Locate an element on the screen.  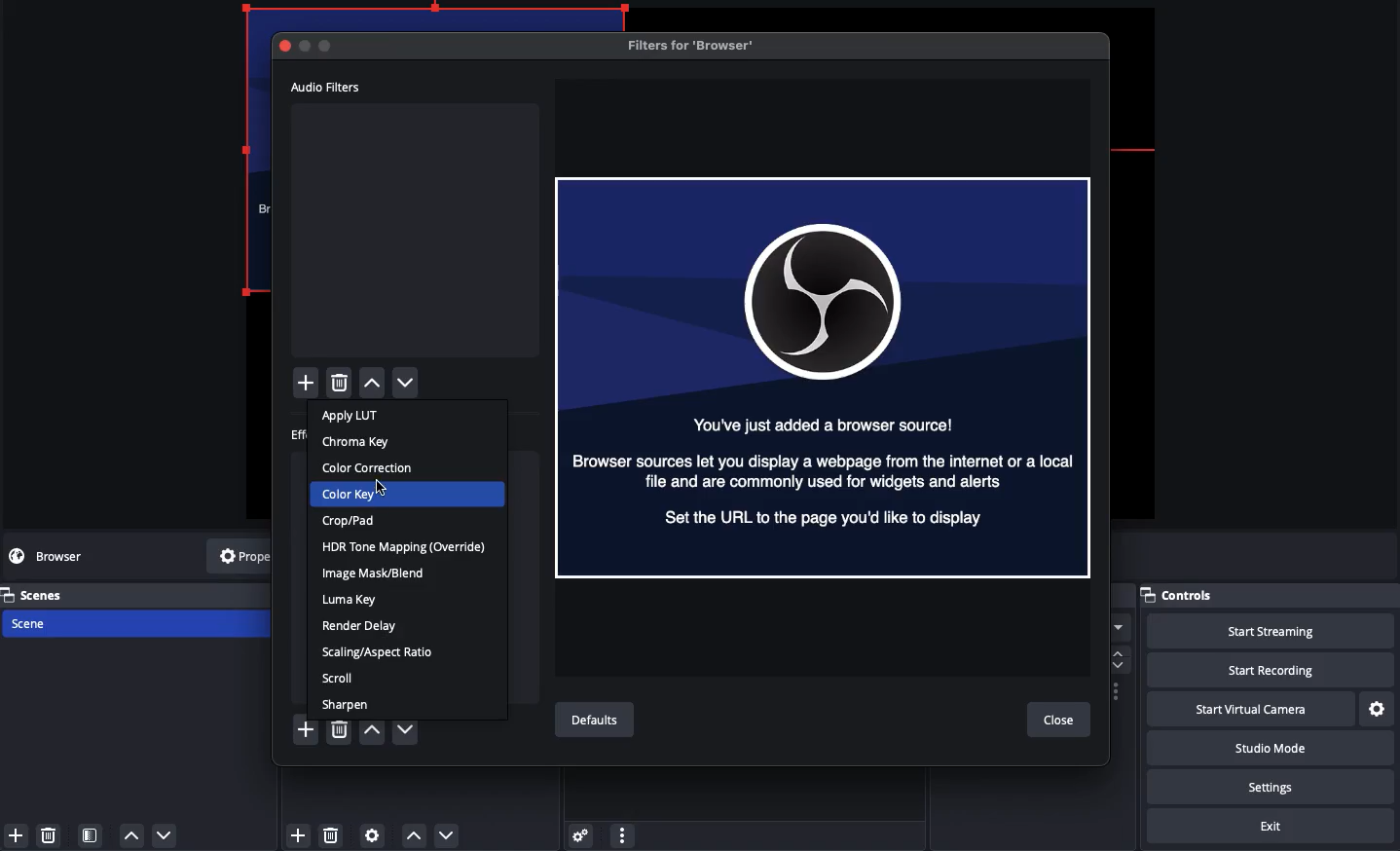
Scaling aspect ratio is located at coordinates (377, 653).